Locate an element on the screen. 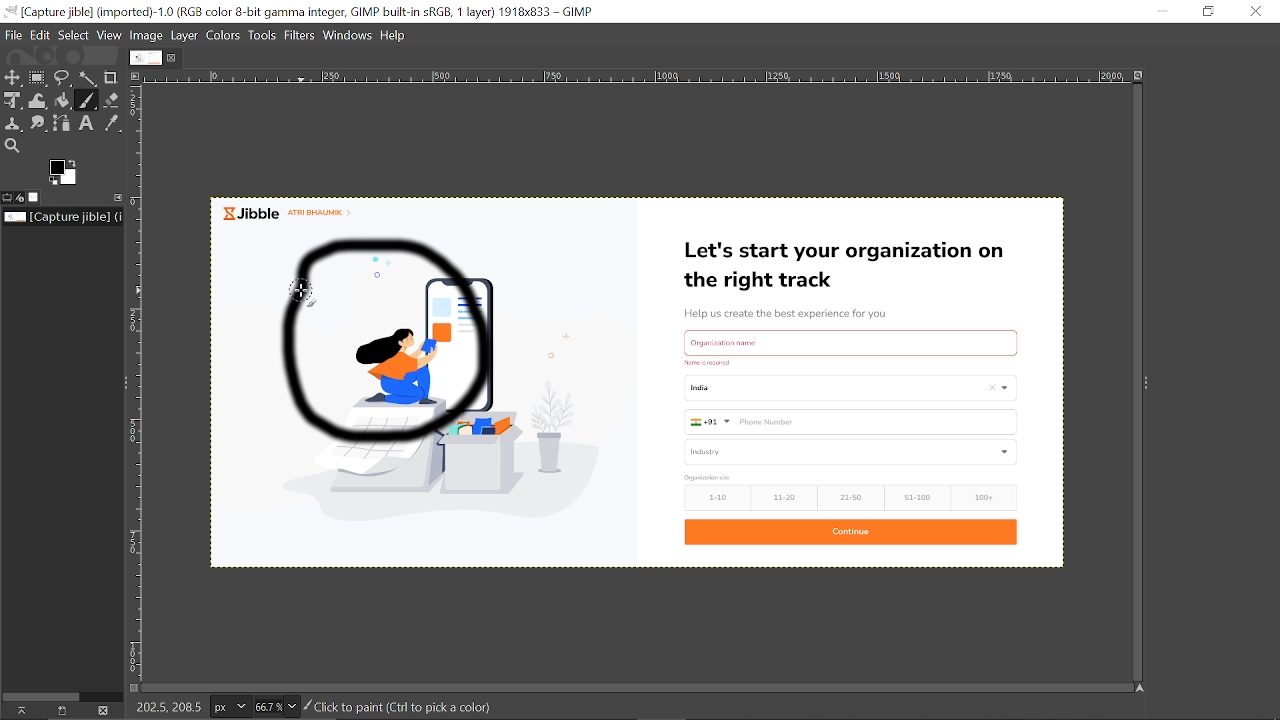  Layer is located at coordinates (185, 37).